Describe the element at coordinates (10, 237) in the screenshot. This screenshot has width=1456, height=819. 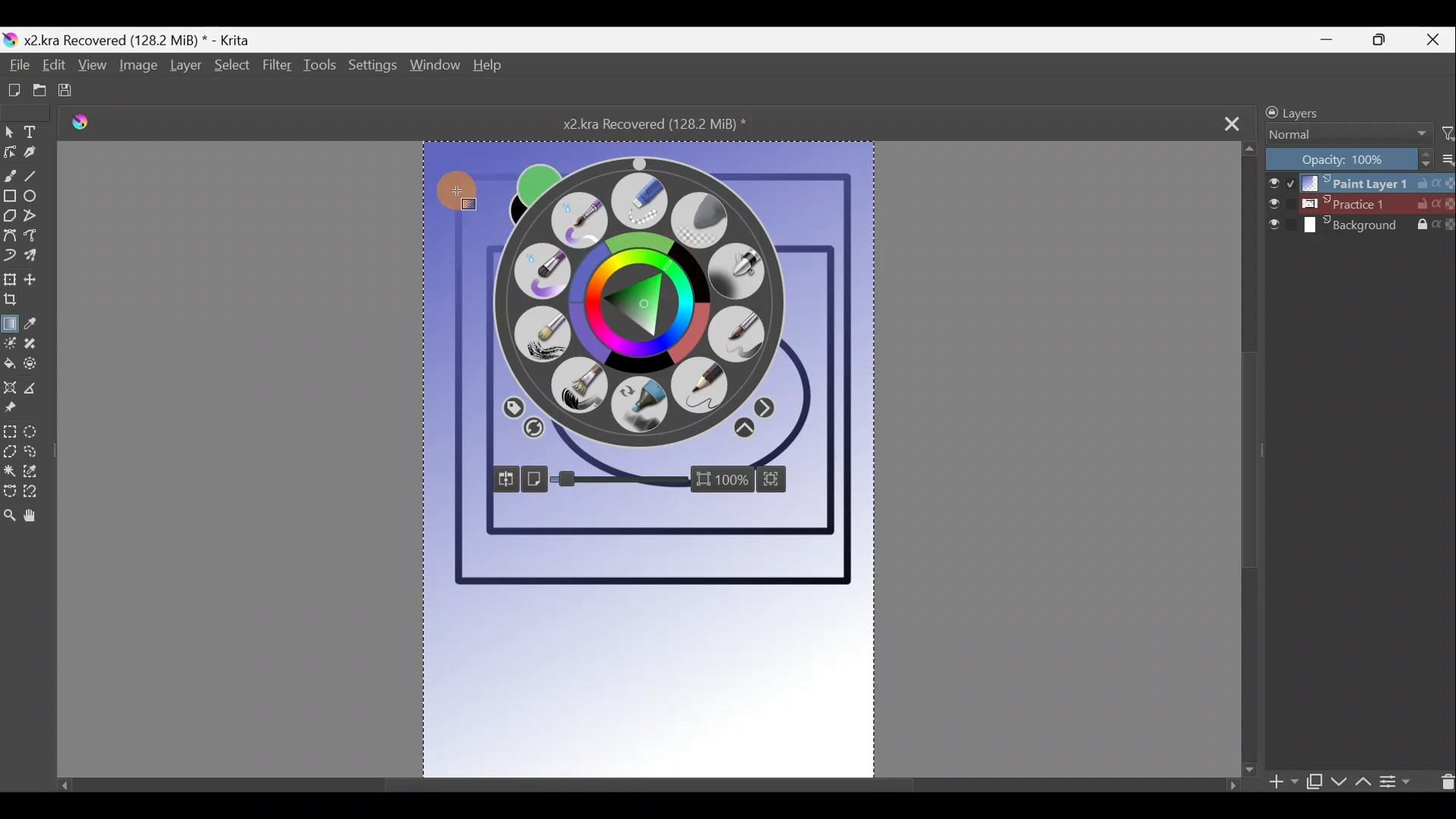
I see `Bezier curve tool` at that location.